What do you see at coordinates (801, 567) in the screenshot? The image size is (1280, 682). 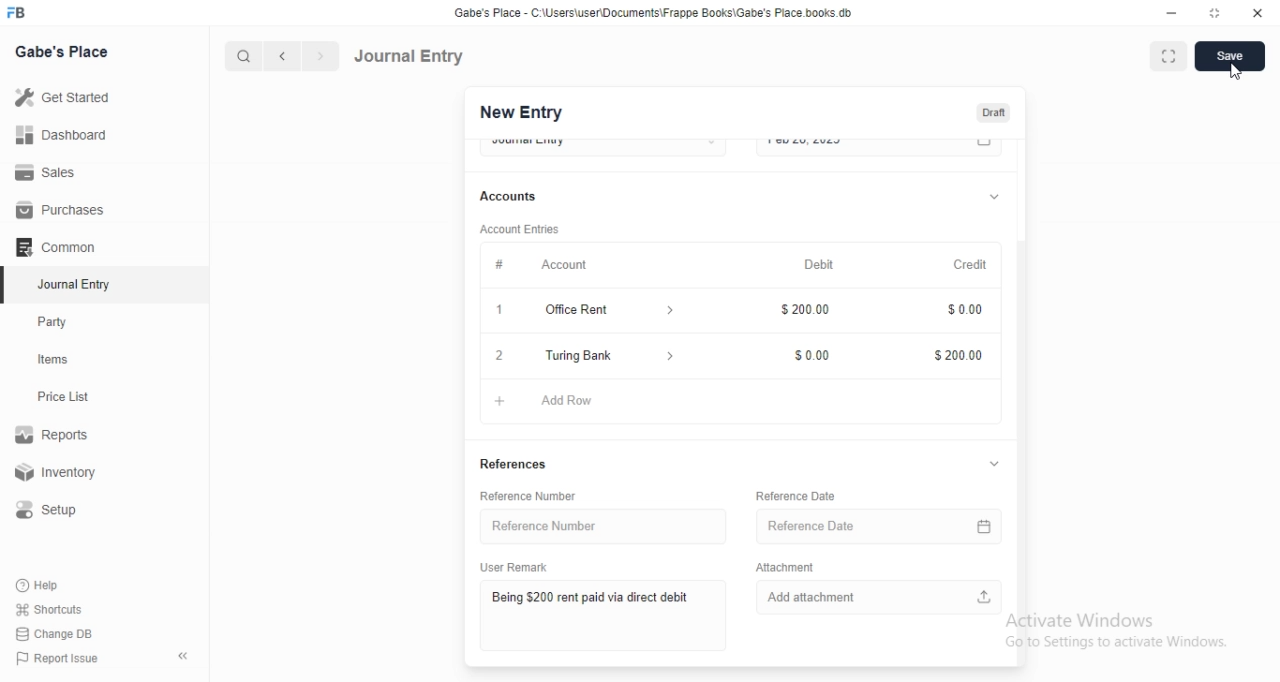 I see `‘Attachment` at bounding box center [801, 567].